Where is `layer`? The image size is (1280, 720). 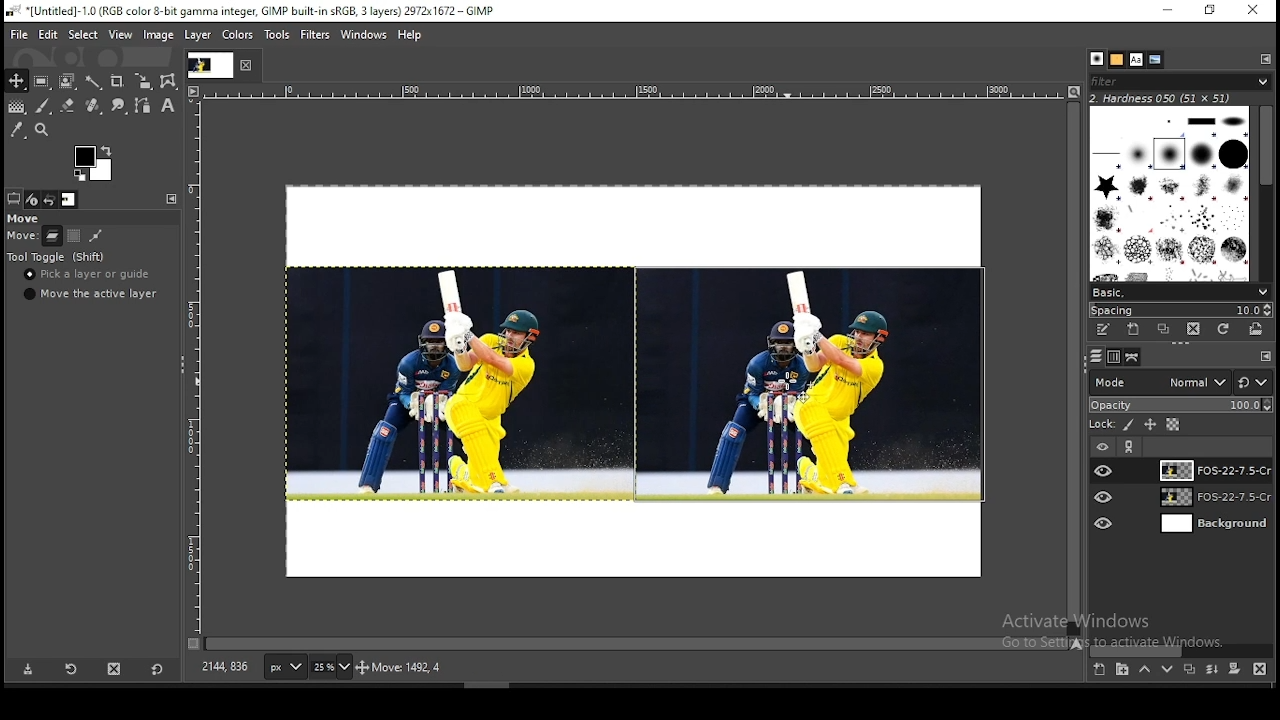 layer is located at coordinates (196, 36).